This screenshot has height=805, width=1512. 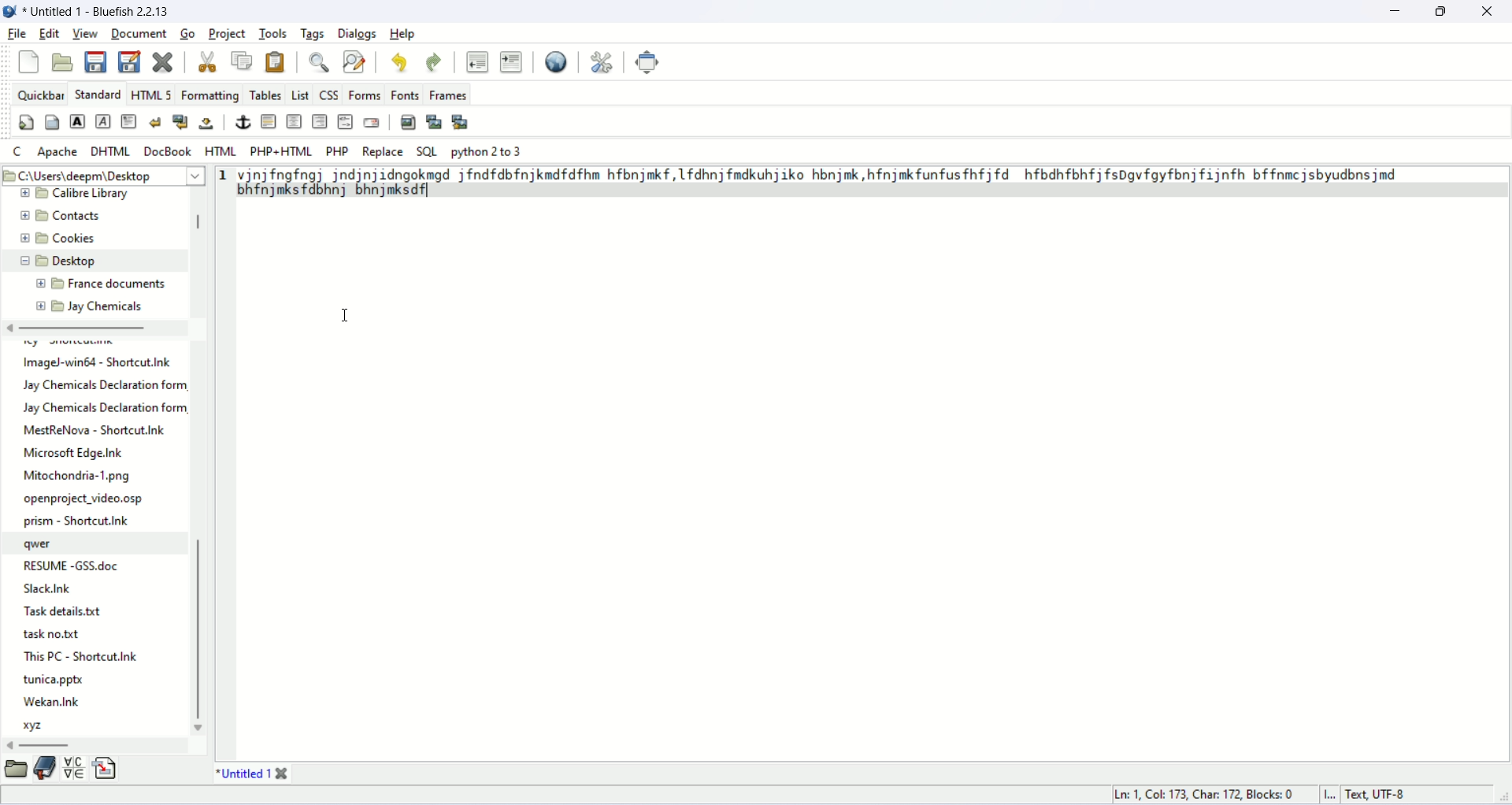 What do you see at coordinates (47, 33) in the screenshot?
I see `edit` at bounding box center [47, 33].